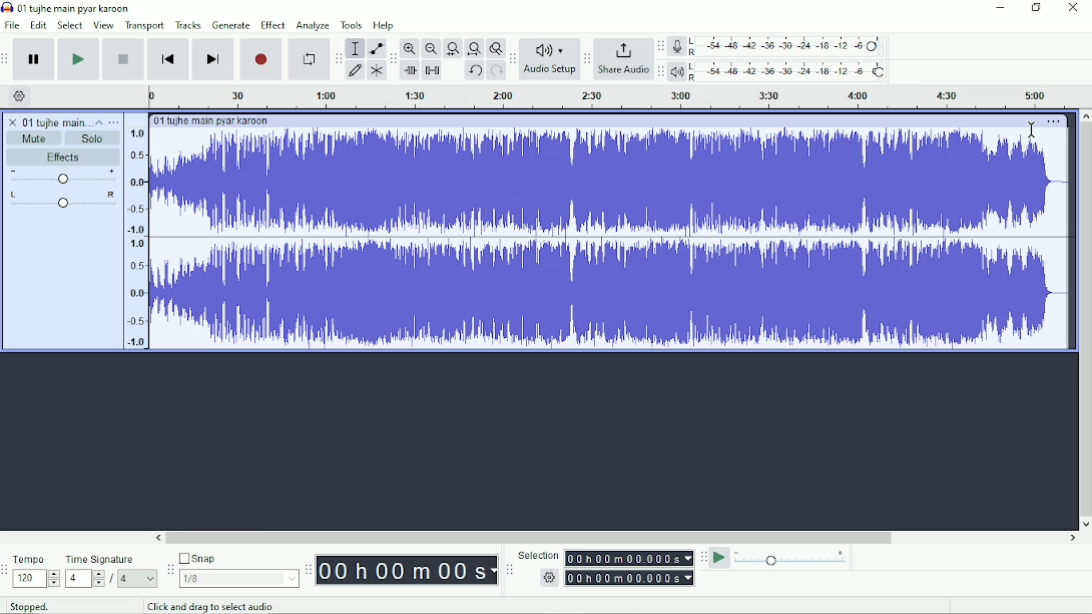  I want to click on Envelope tool, so click(376, 49).